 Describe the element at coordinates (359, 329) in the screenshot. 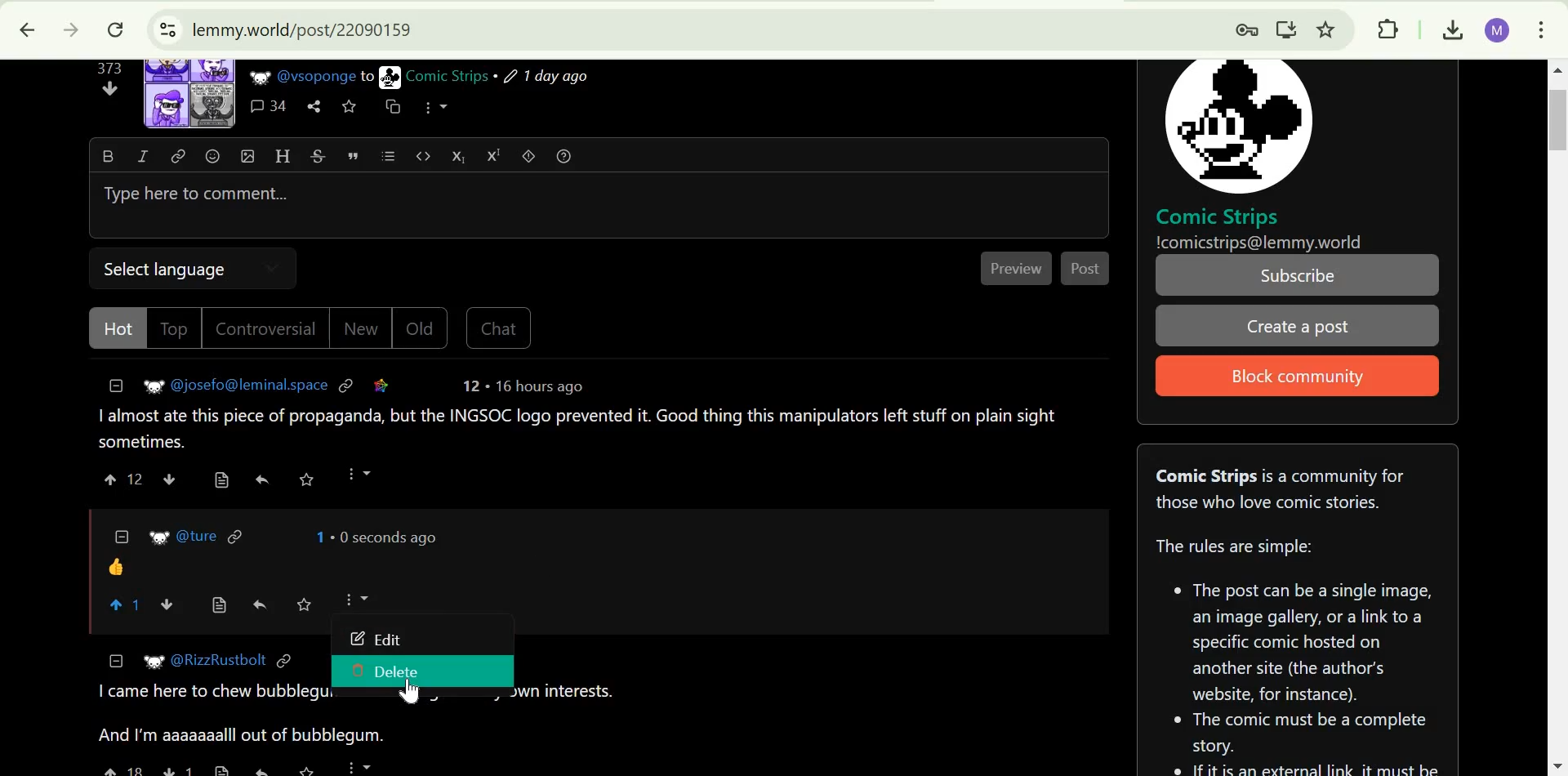

I see `New` at that location.